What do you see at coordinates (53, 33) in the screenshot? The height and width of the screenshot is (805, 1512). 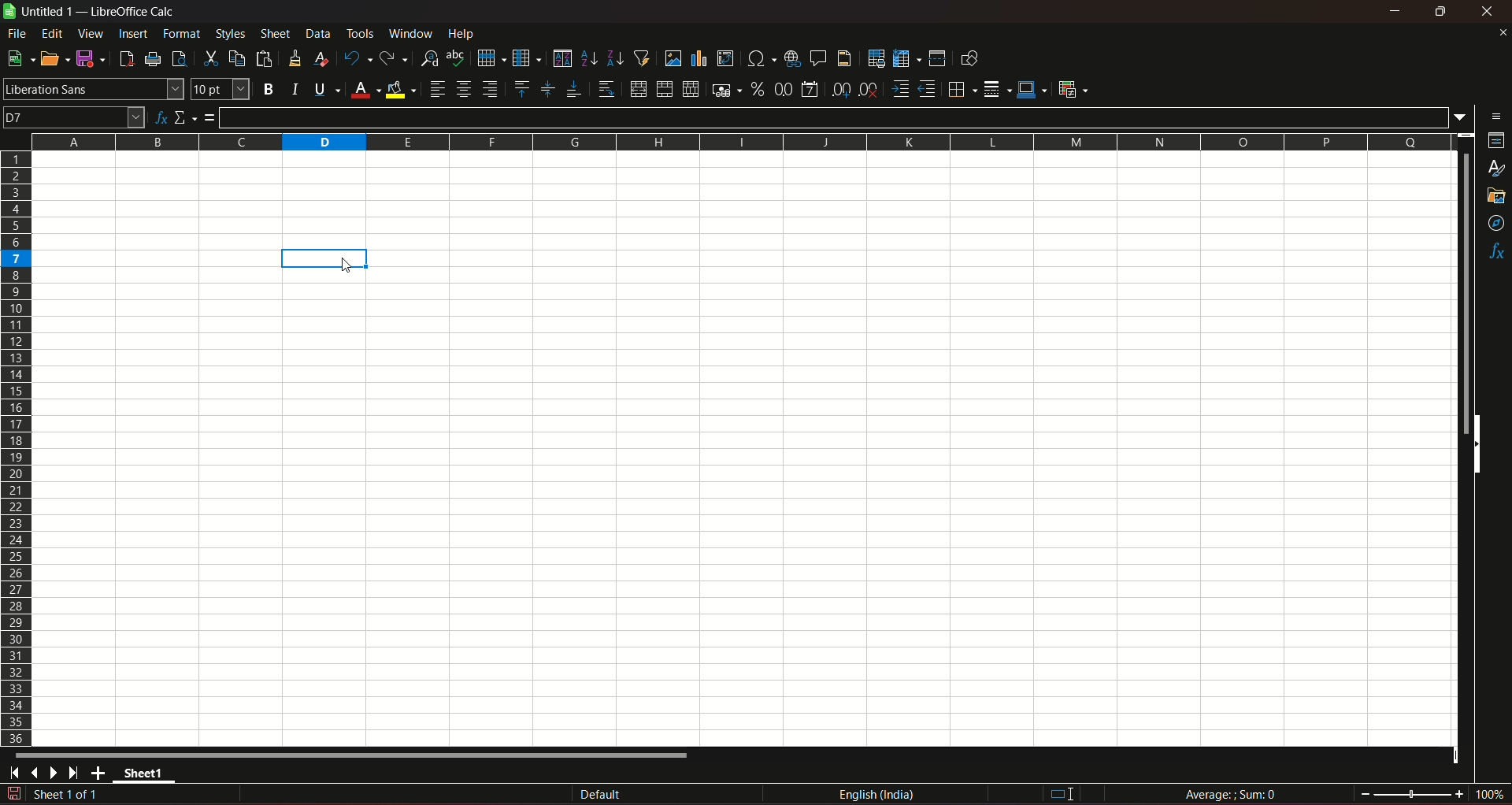 I see `edit` at bounding box center [53, 33].